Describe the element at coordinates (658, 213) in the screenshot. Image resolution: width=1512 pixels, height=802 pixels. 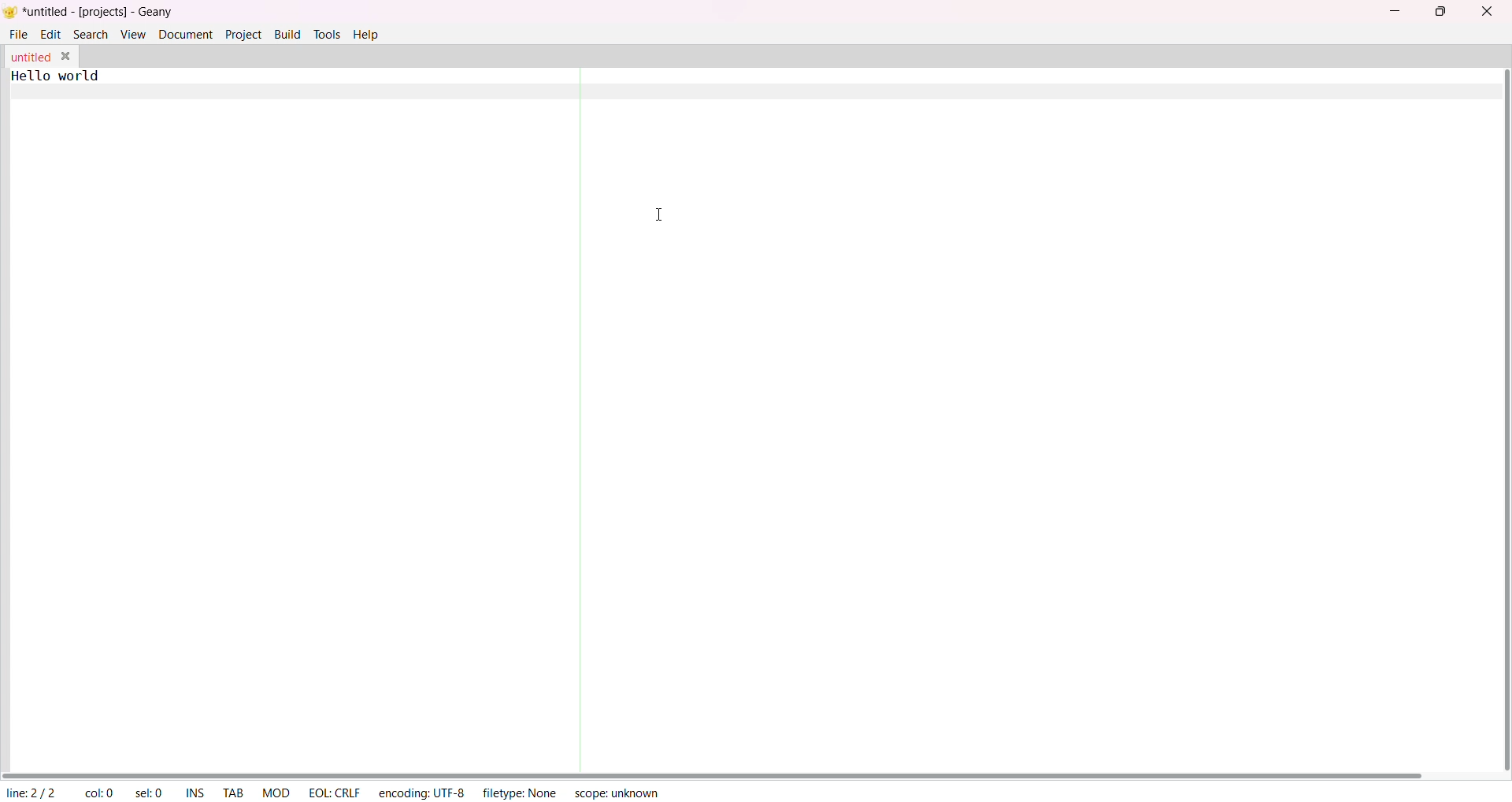
I see `cursor` at that location.